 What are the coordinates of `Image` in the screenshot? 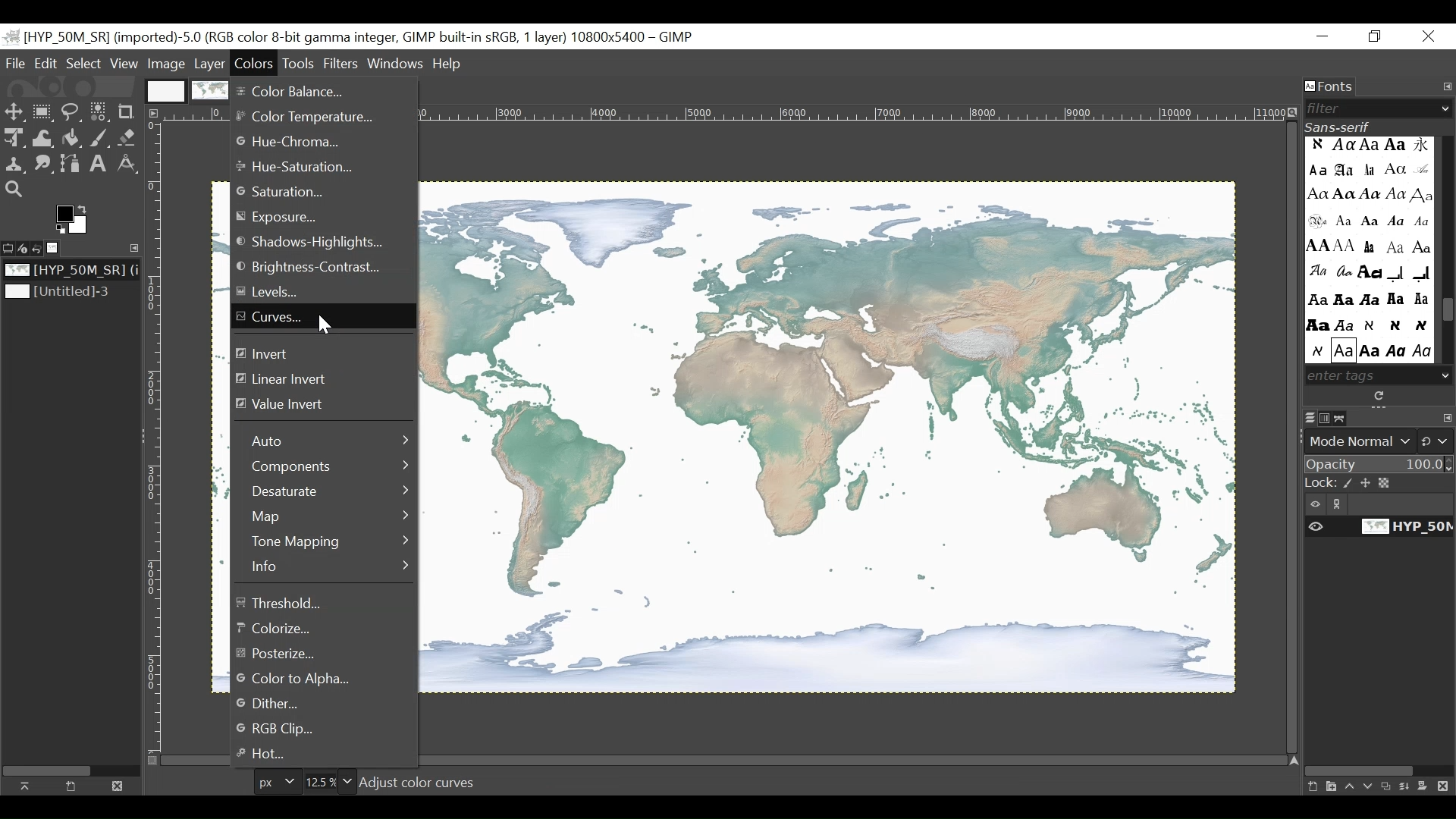 It's located at (58, 248).